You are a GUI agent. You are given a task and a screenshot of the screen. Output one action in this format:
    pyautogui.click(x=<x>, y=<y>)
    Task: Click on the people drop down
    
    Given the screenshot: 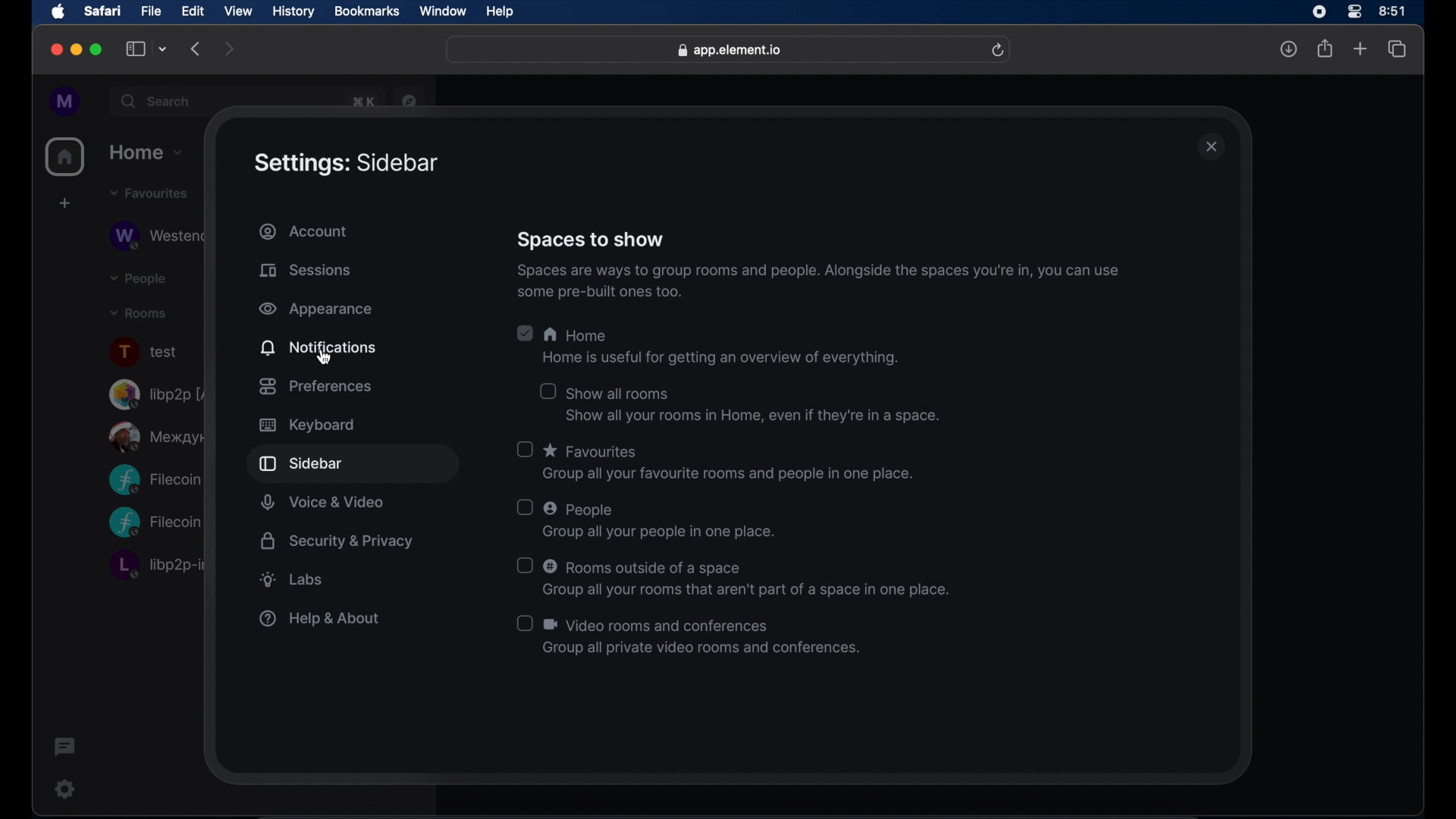 What is the action you would take?
    pyautogui.click(x=136, y=279)
    